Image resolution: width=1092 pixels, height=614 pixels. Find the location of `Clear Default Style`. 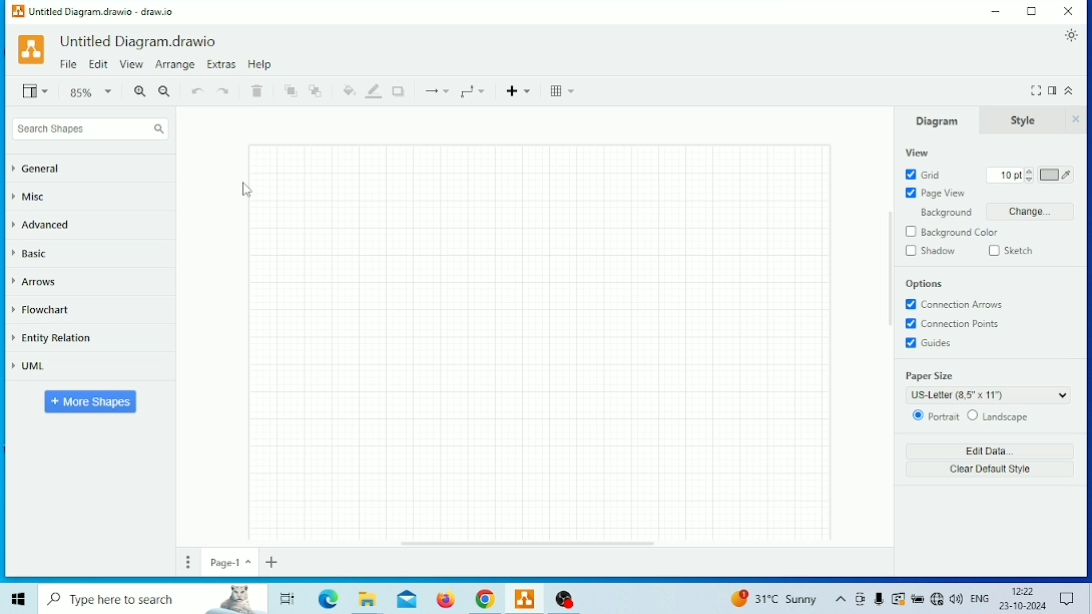

Clear Default Style is located at coordinates (989, 470).